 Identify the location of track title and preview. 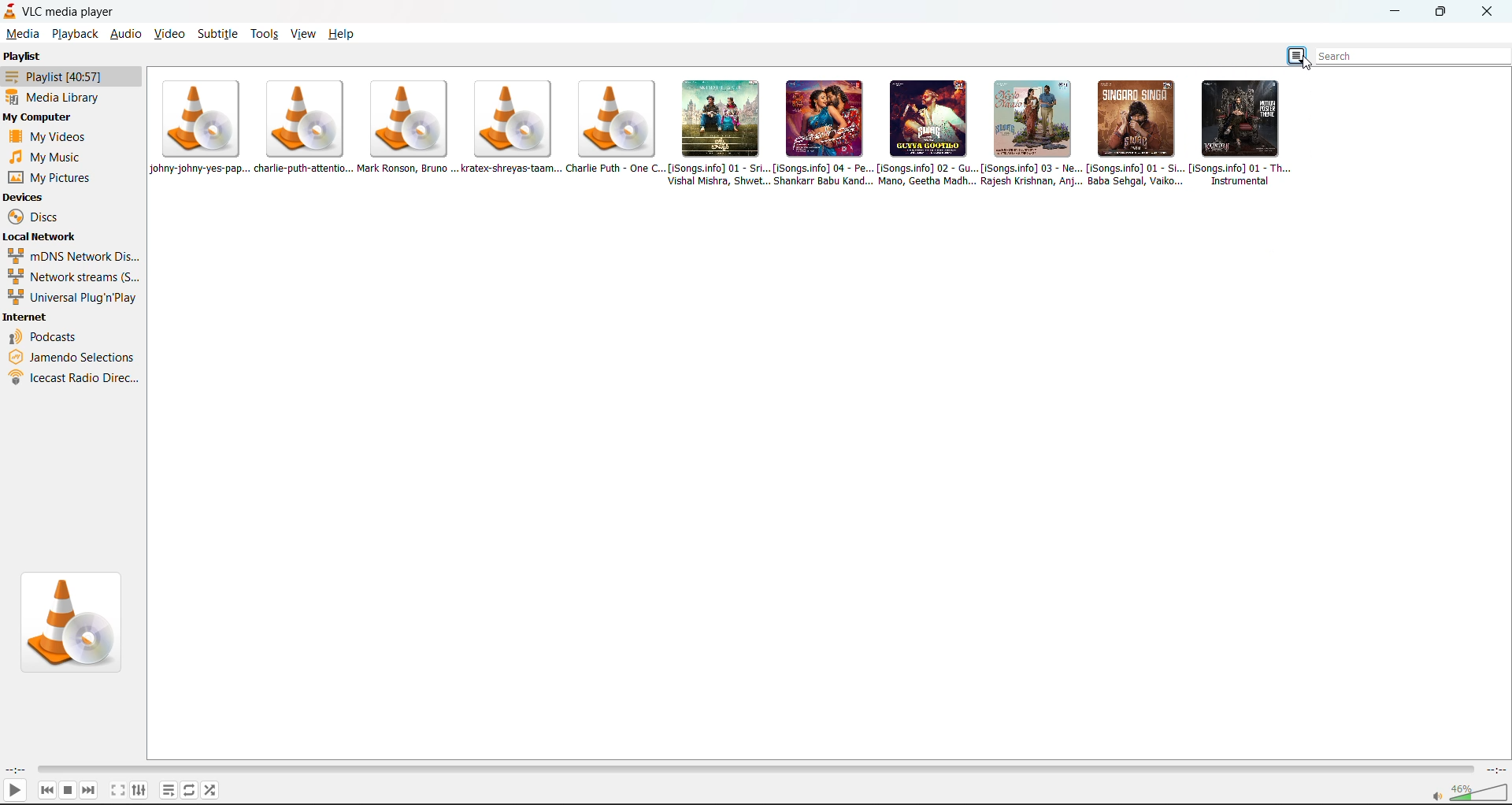
(1247, 134).